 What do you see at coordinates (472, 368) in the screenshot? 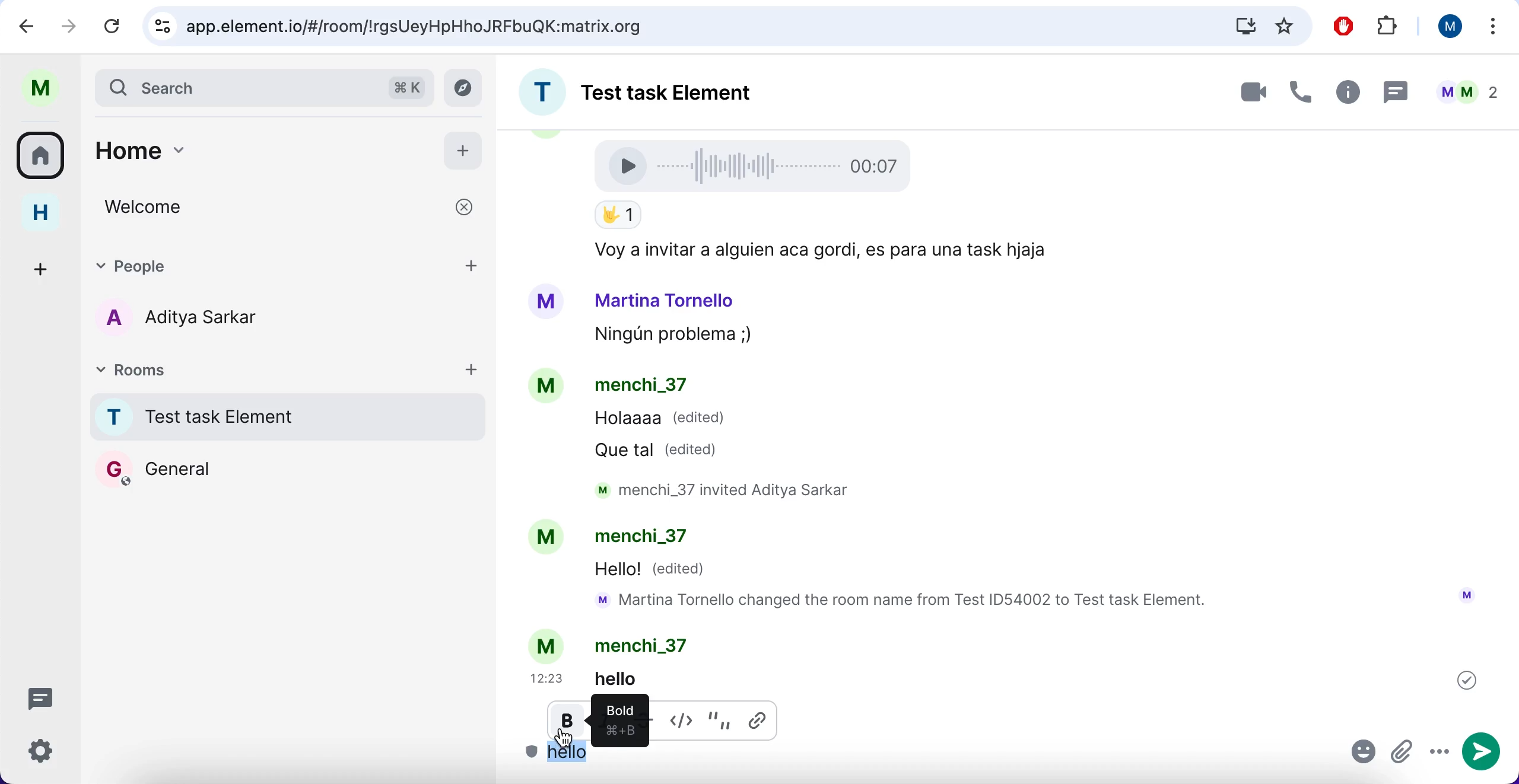
I see `add` at bounding box center [472, 368].